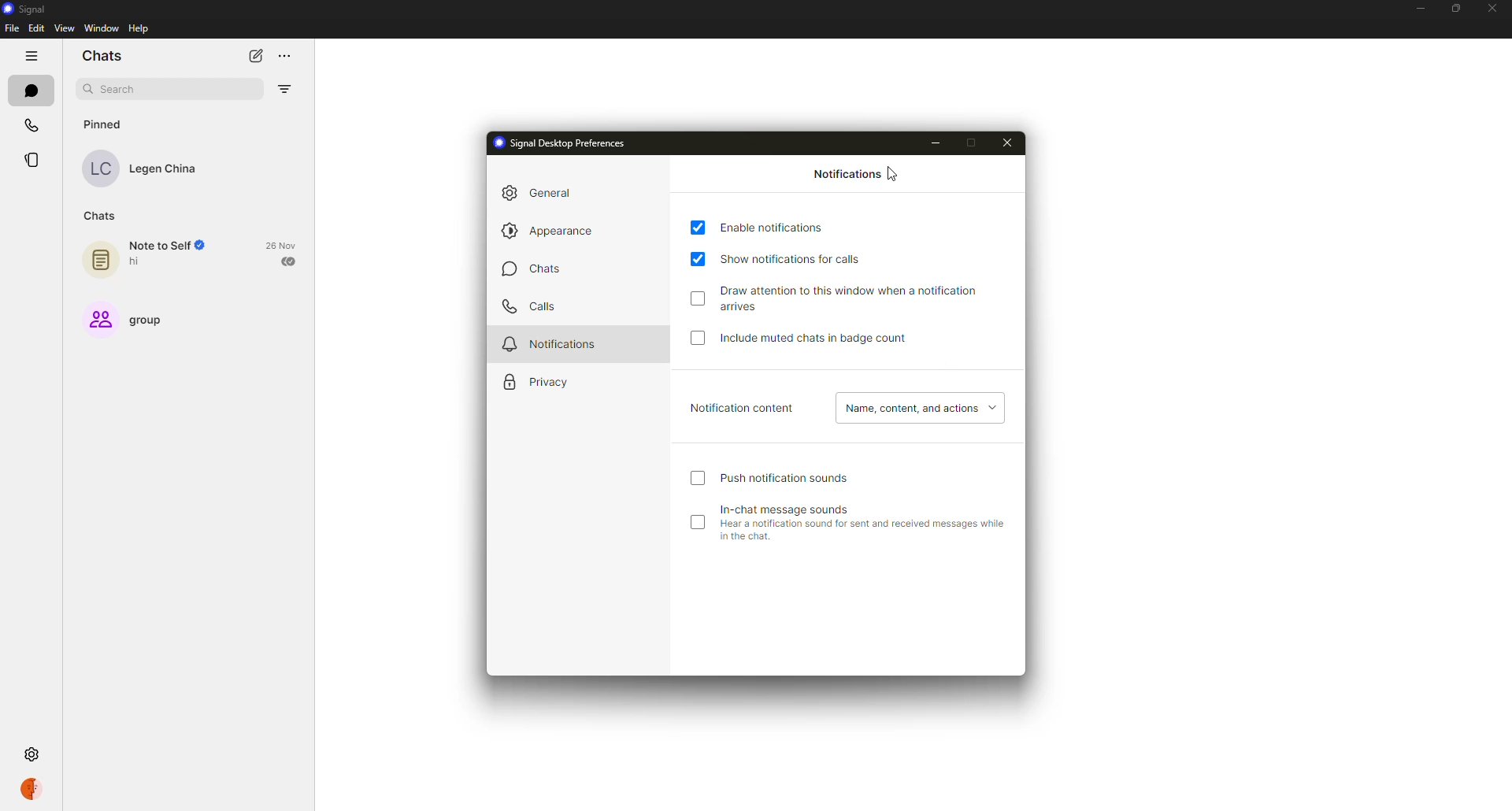  I want to click on profile, so click(31, 791).